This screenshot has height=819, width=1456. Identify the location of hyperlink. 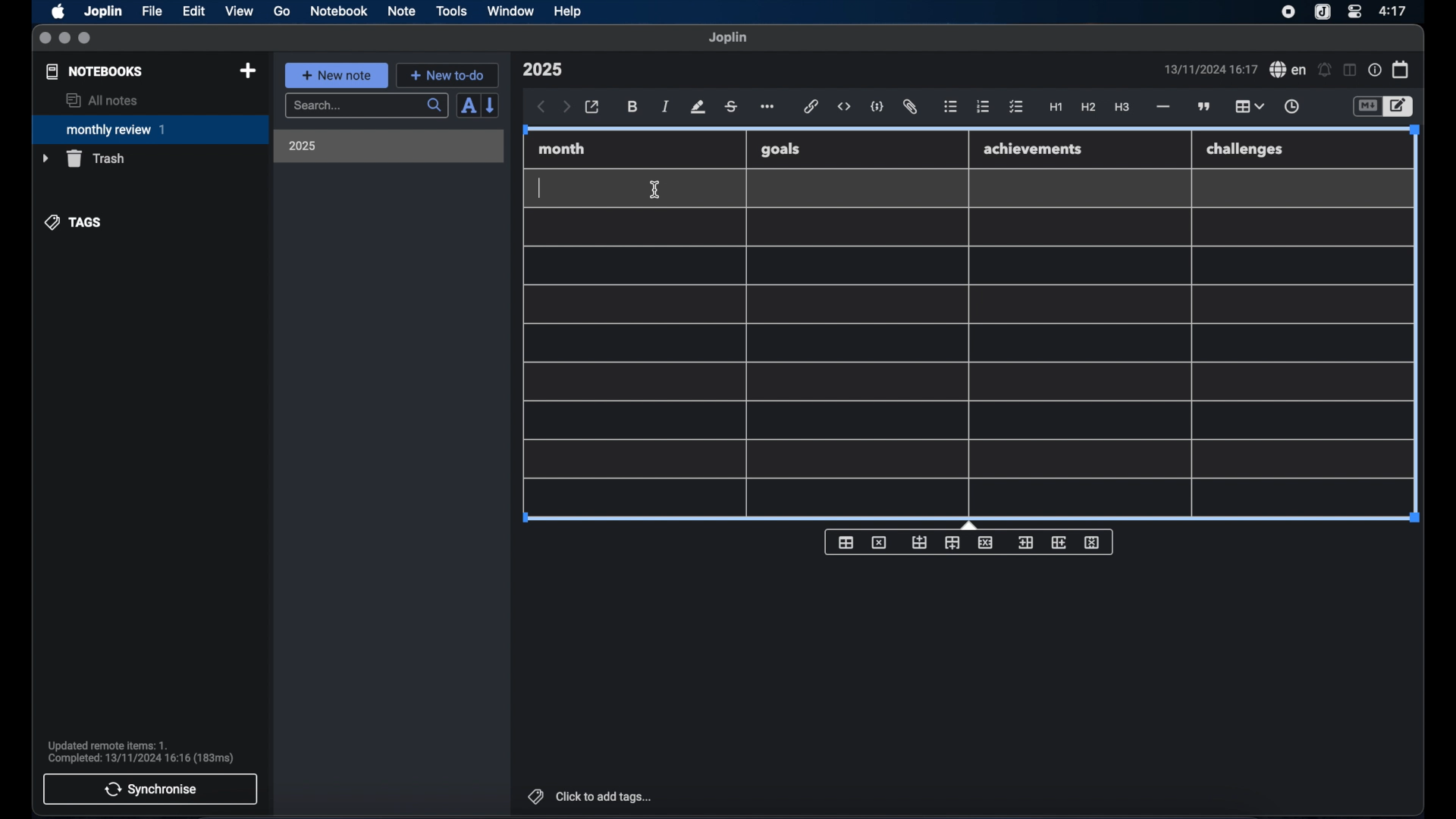
(811, 106).